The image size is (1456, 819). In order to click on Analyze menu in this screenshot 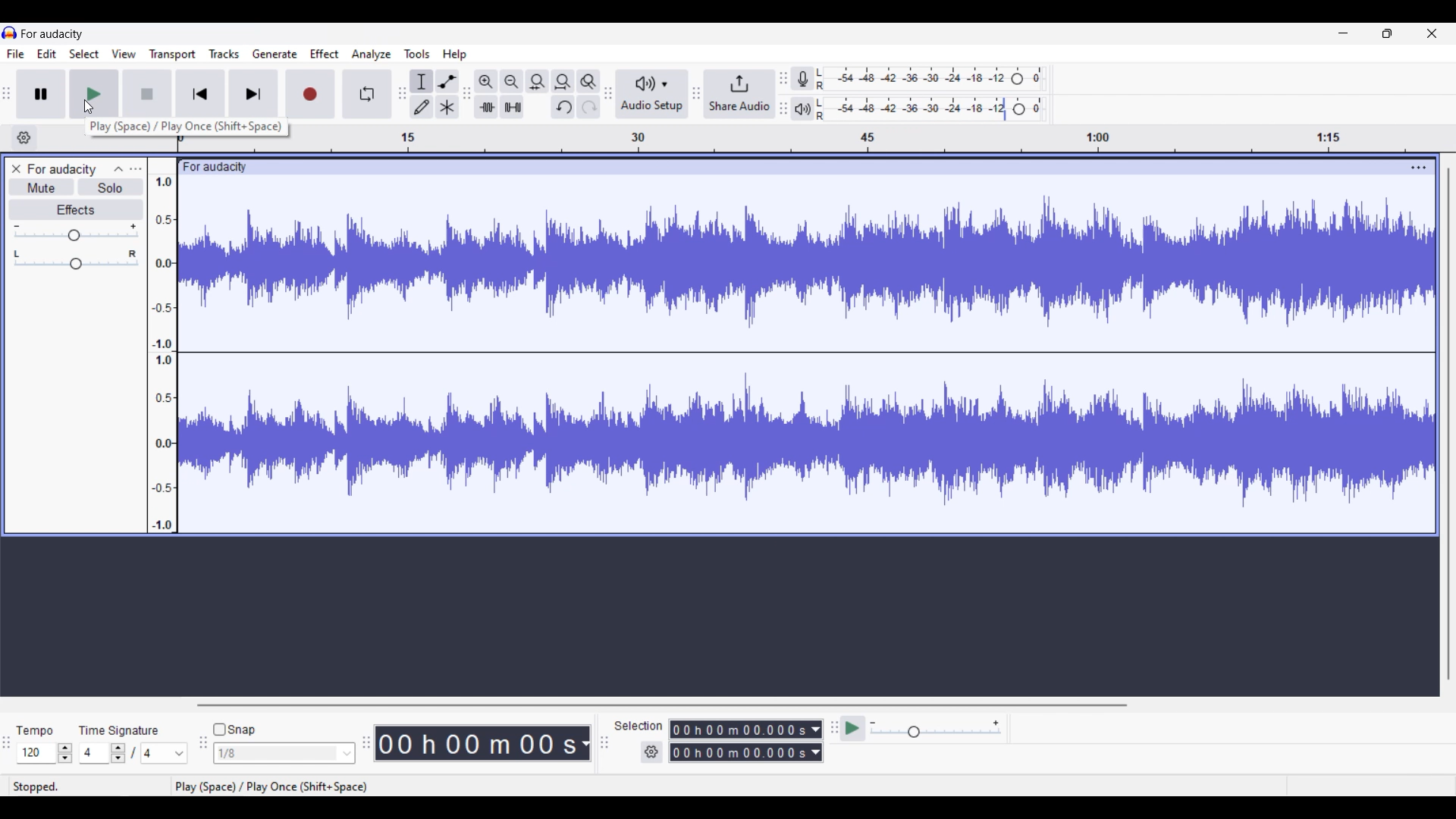, I will do `click(371, 55)`.